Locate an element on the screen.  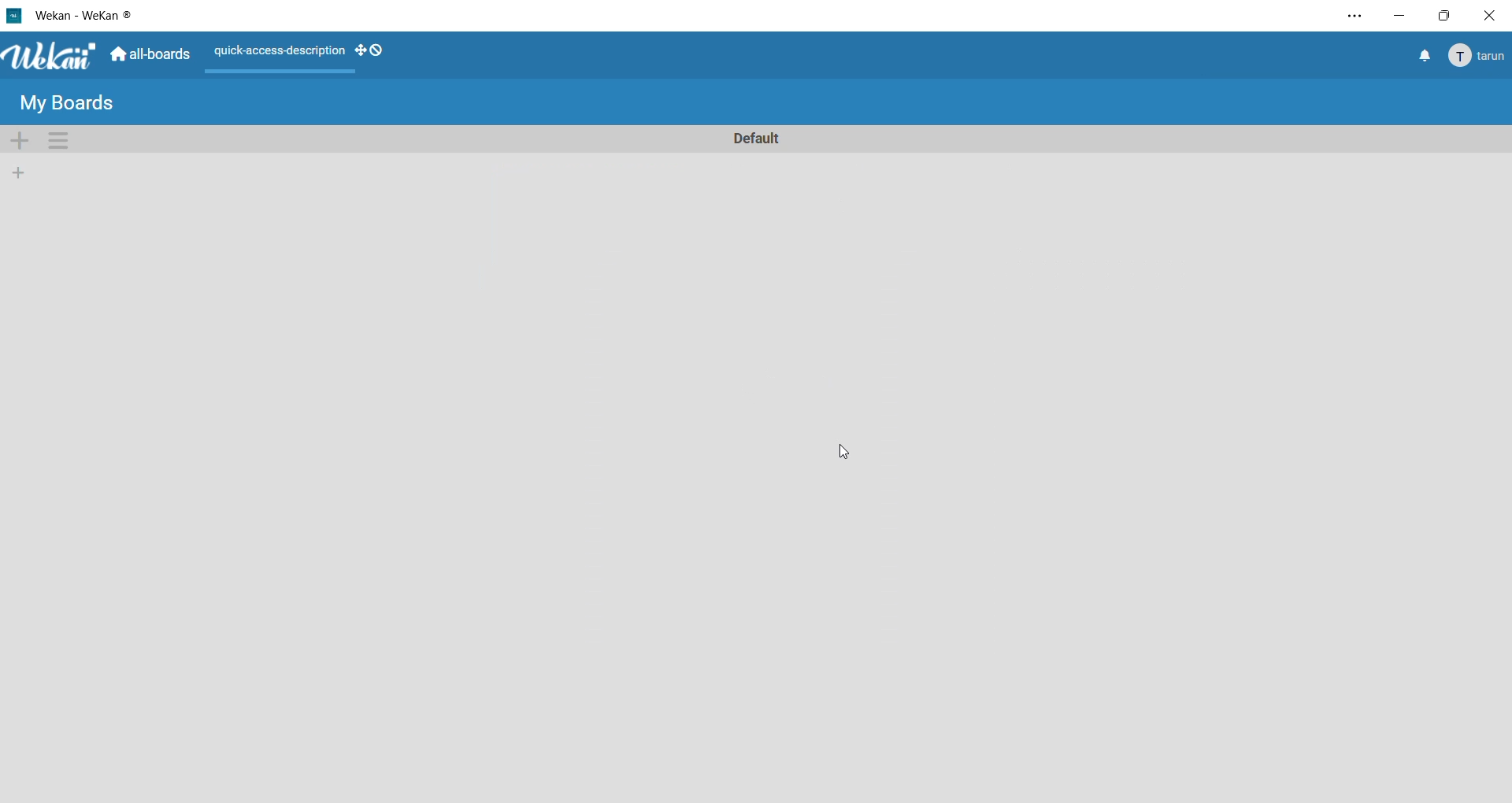
minimize is located at coordinates (1401, 18).